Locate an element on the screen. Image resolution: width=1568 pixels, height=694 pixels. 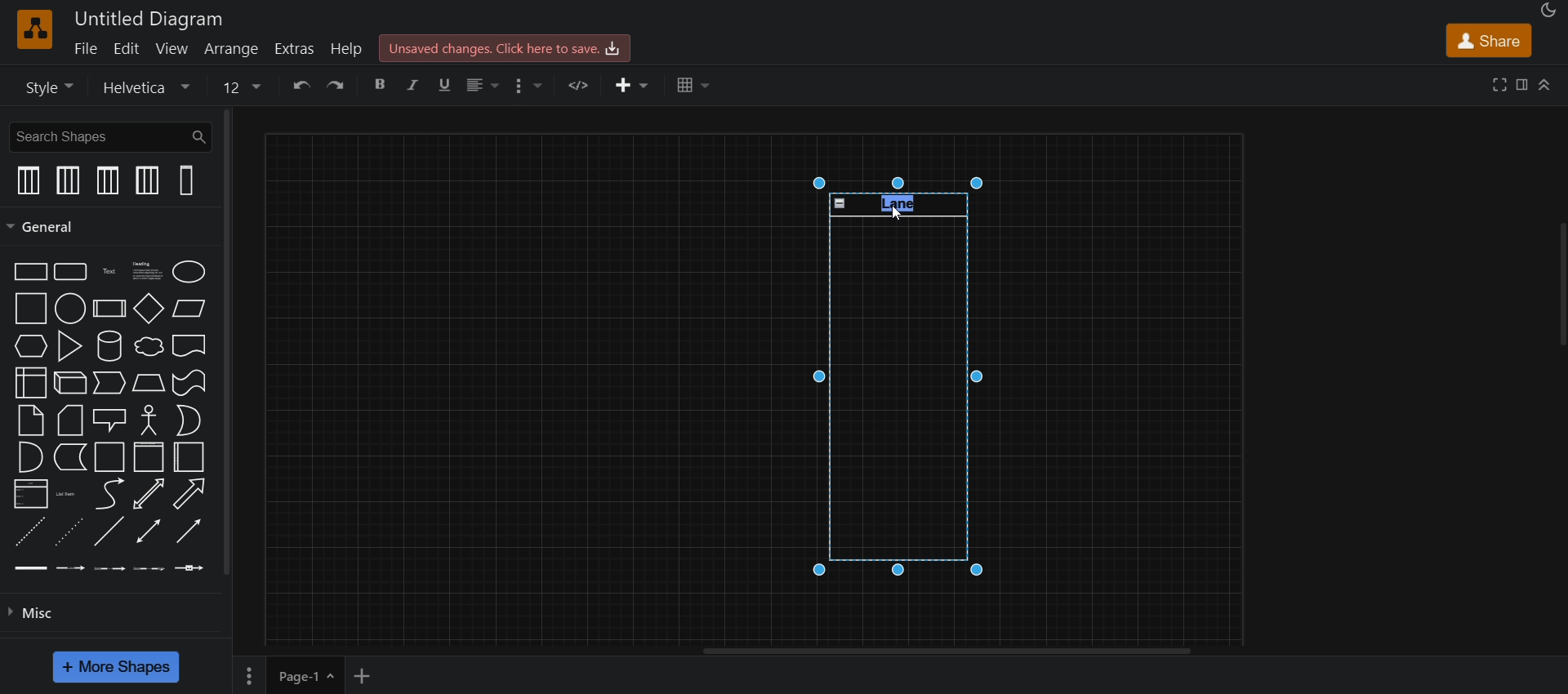
horizontal scroll bar is located at coordinates (946, 652).